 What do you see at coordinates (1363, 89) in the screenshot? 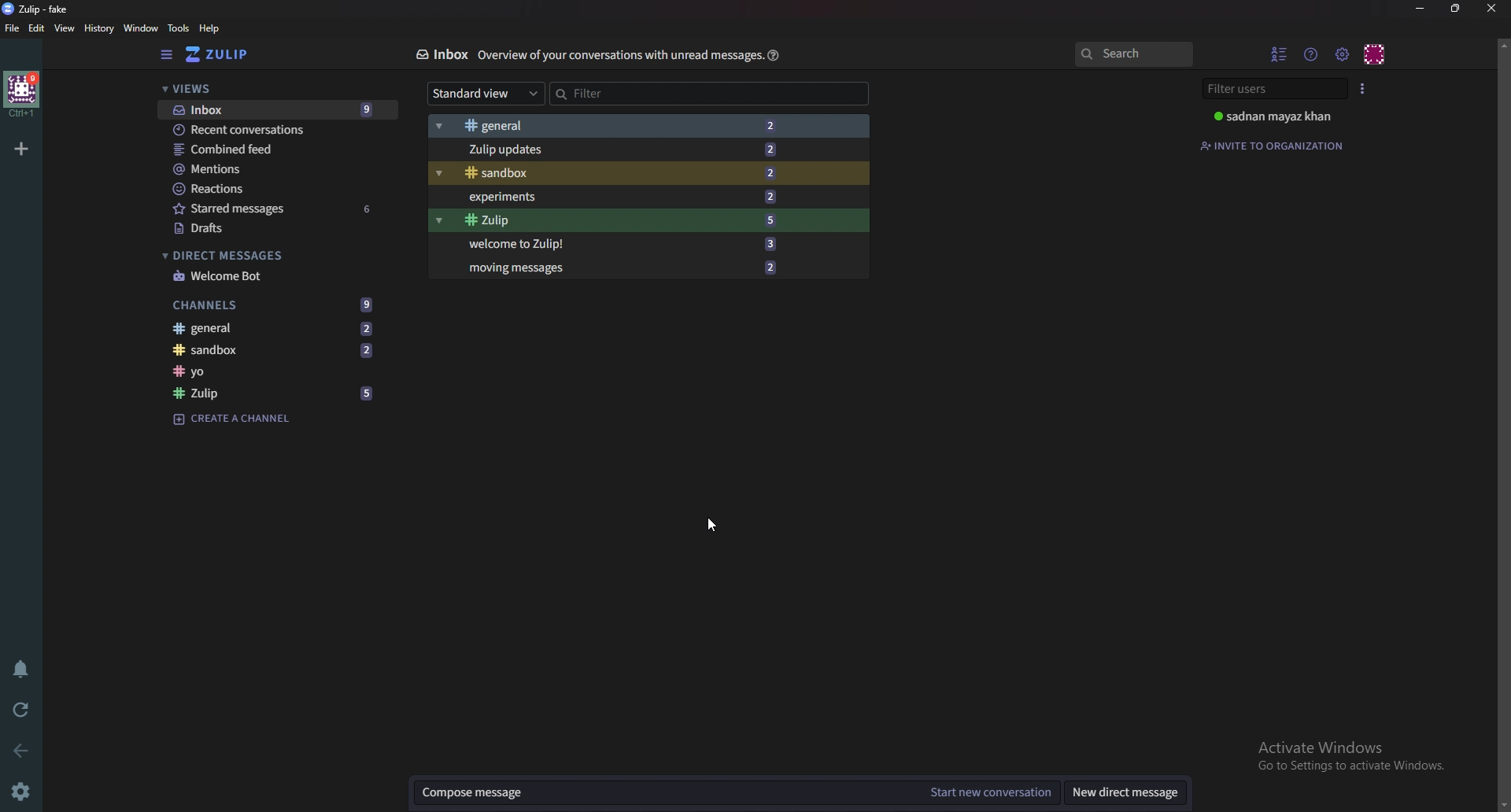
I see `User list style` at bounding box center [1363, 89].